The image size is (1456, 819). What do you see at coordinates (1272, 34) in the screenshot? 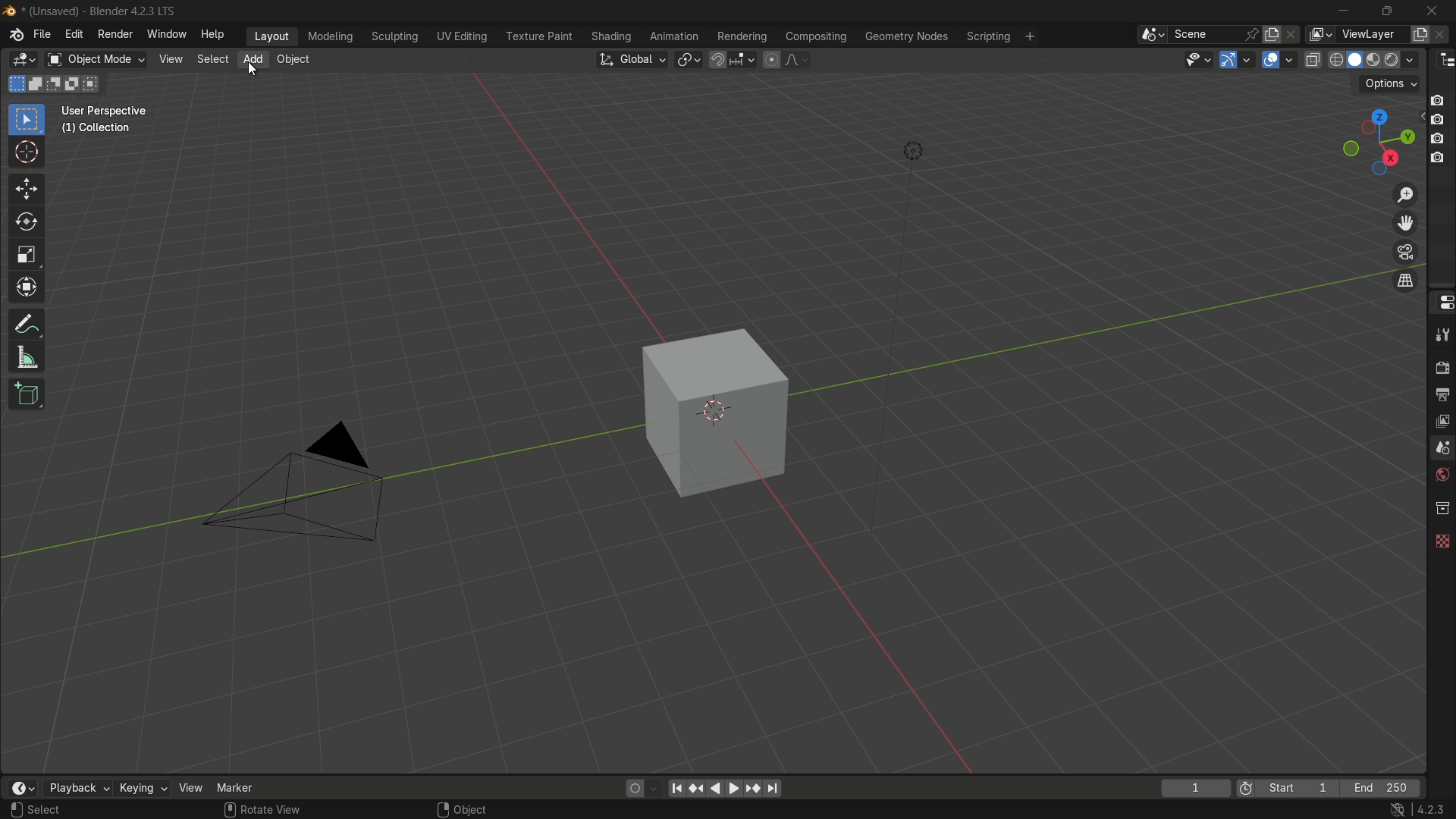
I see `new scene` at bounding box center [1272, 34].